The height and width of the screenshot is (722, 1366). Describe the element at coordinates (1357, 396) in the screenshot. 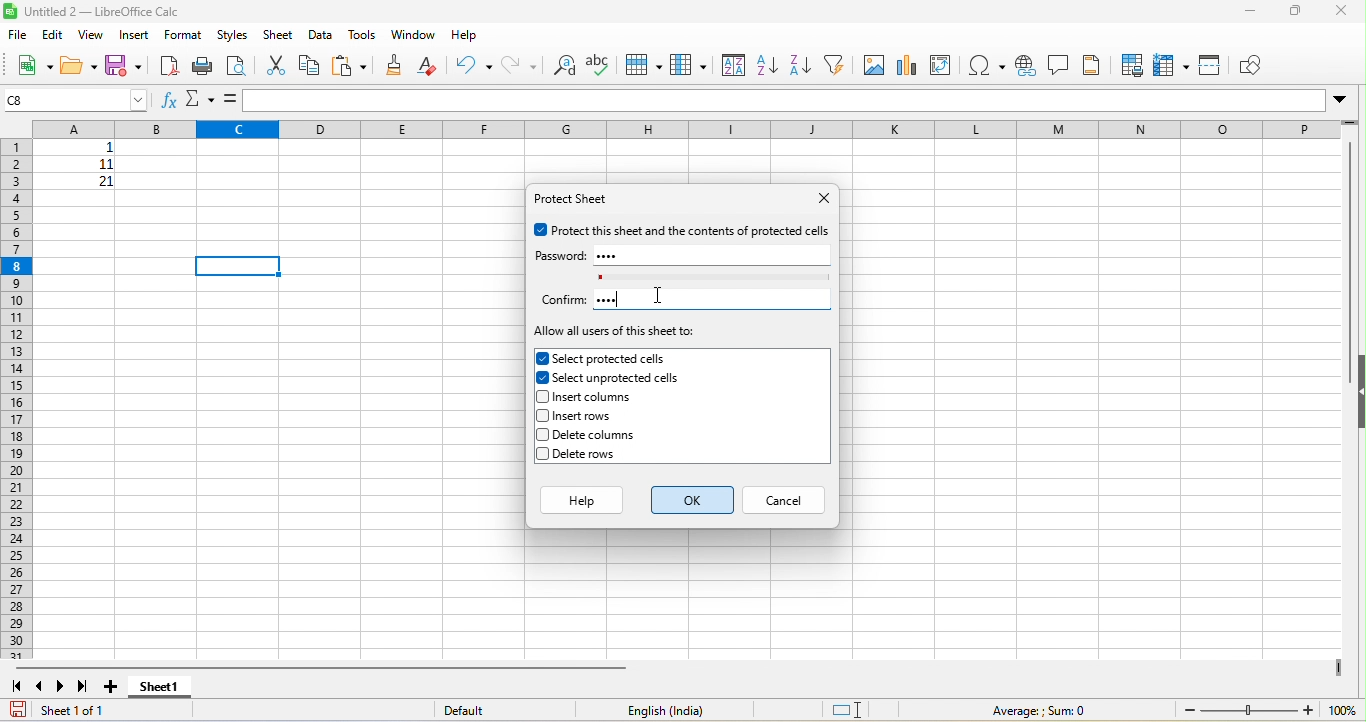

I see `hide` at that location.